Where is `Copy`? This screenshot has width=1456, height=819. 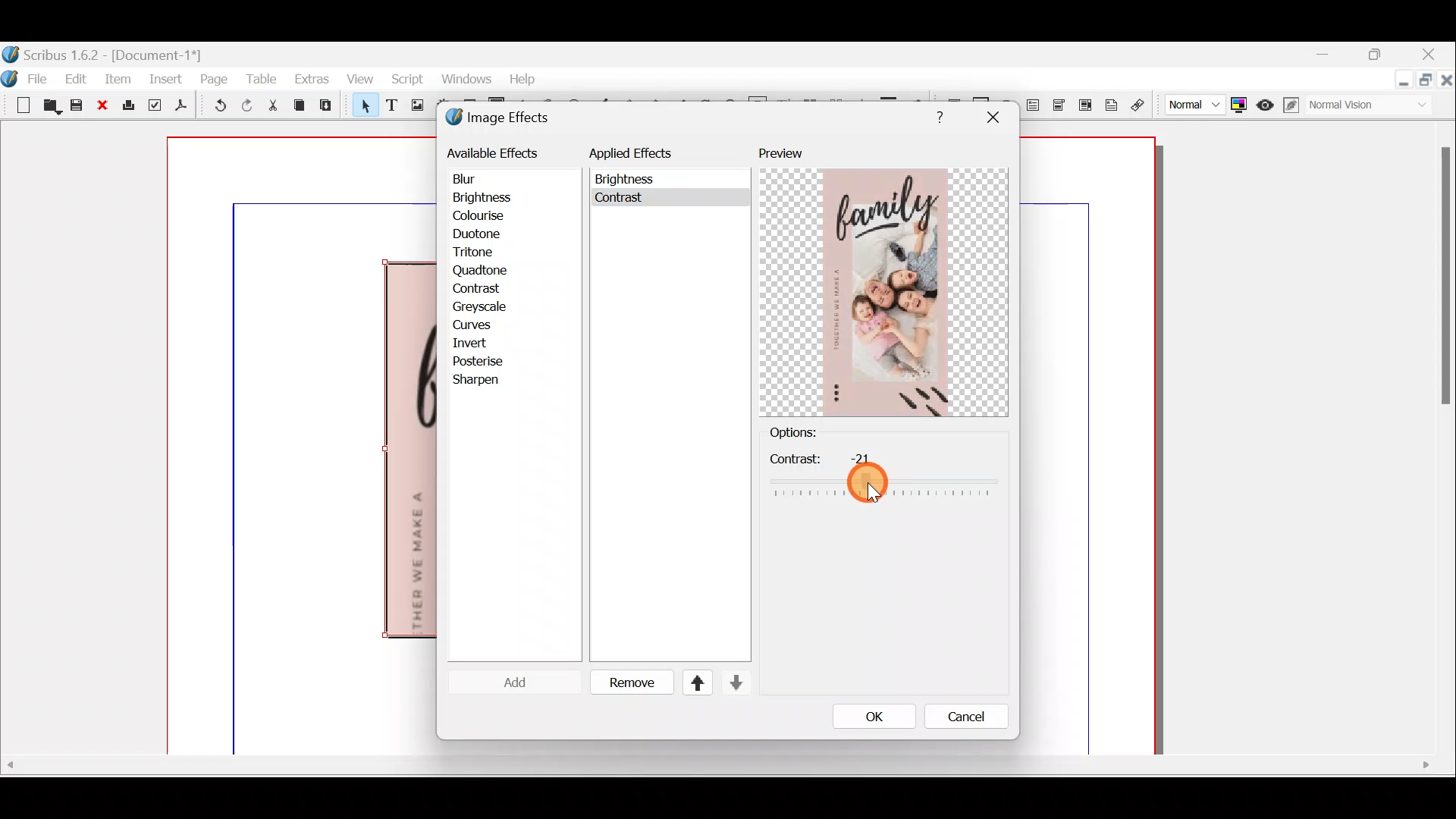
Copy is located at coordinates (300, 105).